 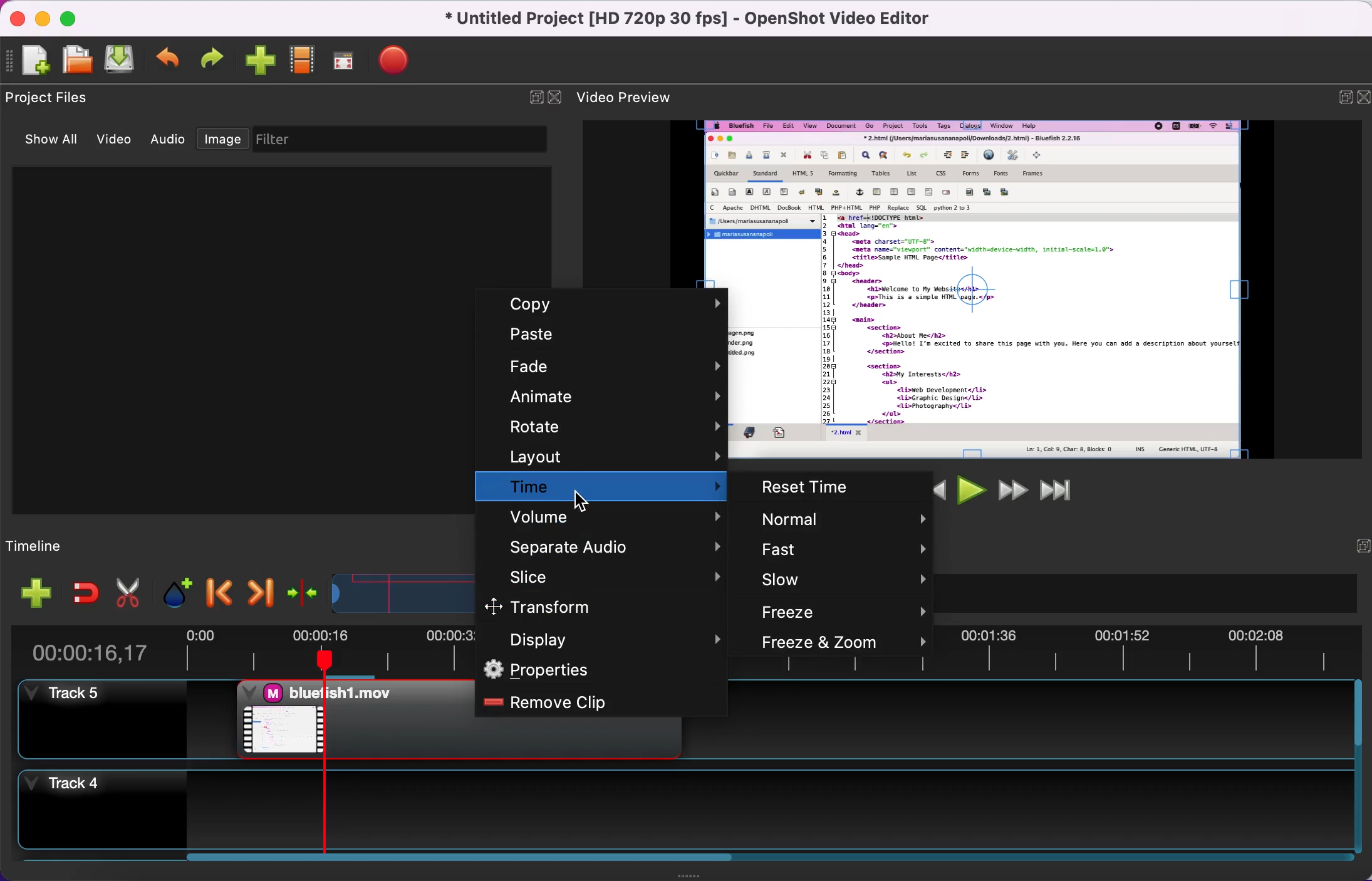 I want to click on cut, so click(x=128, y=590).